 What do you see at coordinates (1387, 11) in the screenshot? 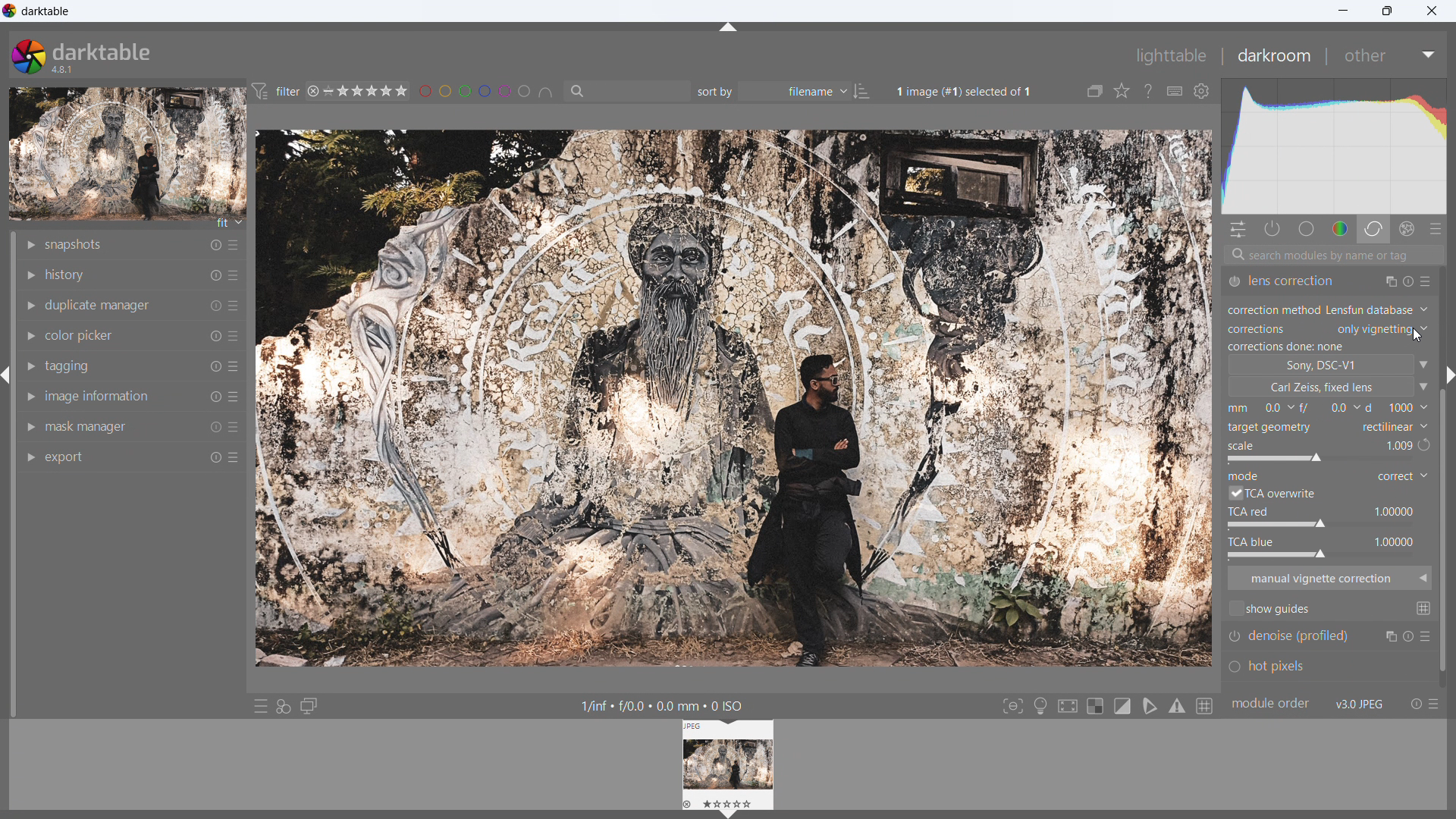
I see `maximize` at bounding box center [1387, 11].